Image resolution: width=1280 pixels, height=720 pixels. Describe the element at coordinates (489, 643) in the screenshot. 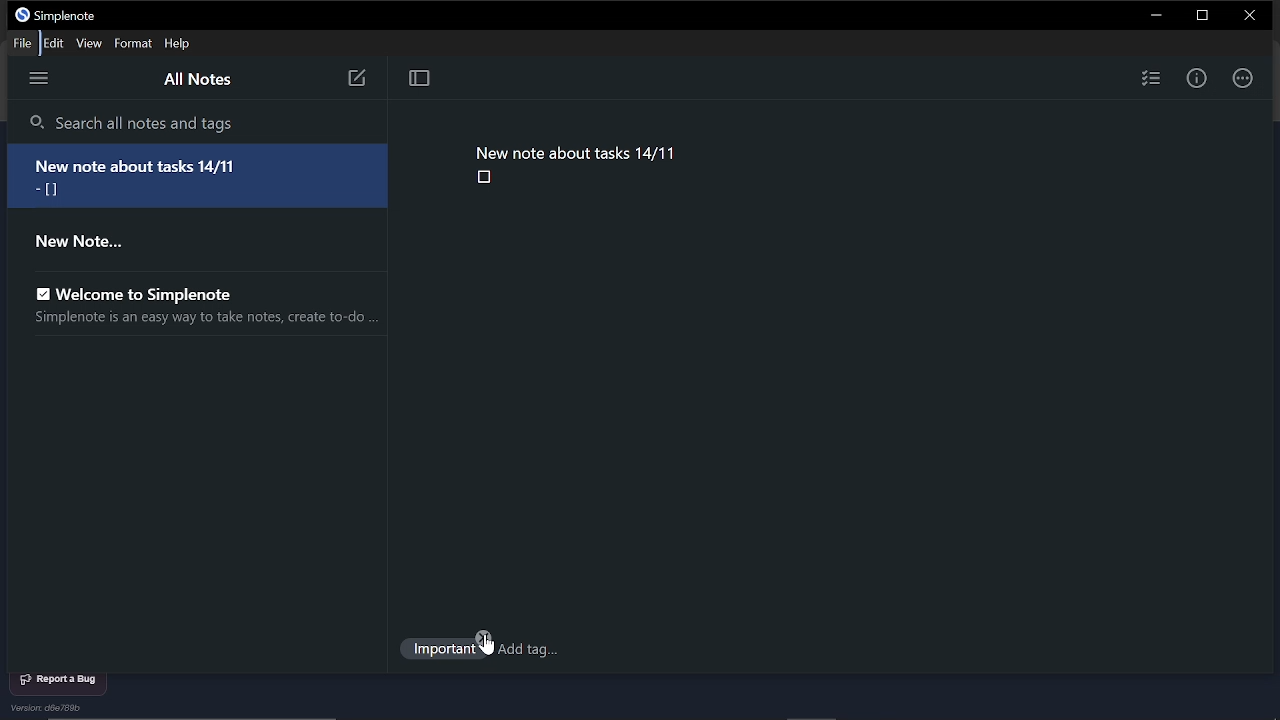

I see `cursor` at that location.